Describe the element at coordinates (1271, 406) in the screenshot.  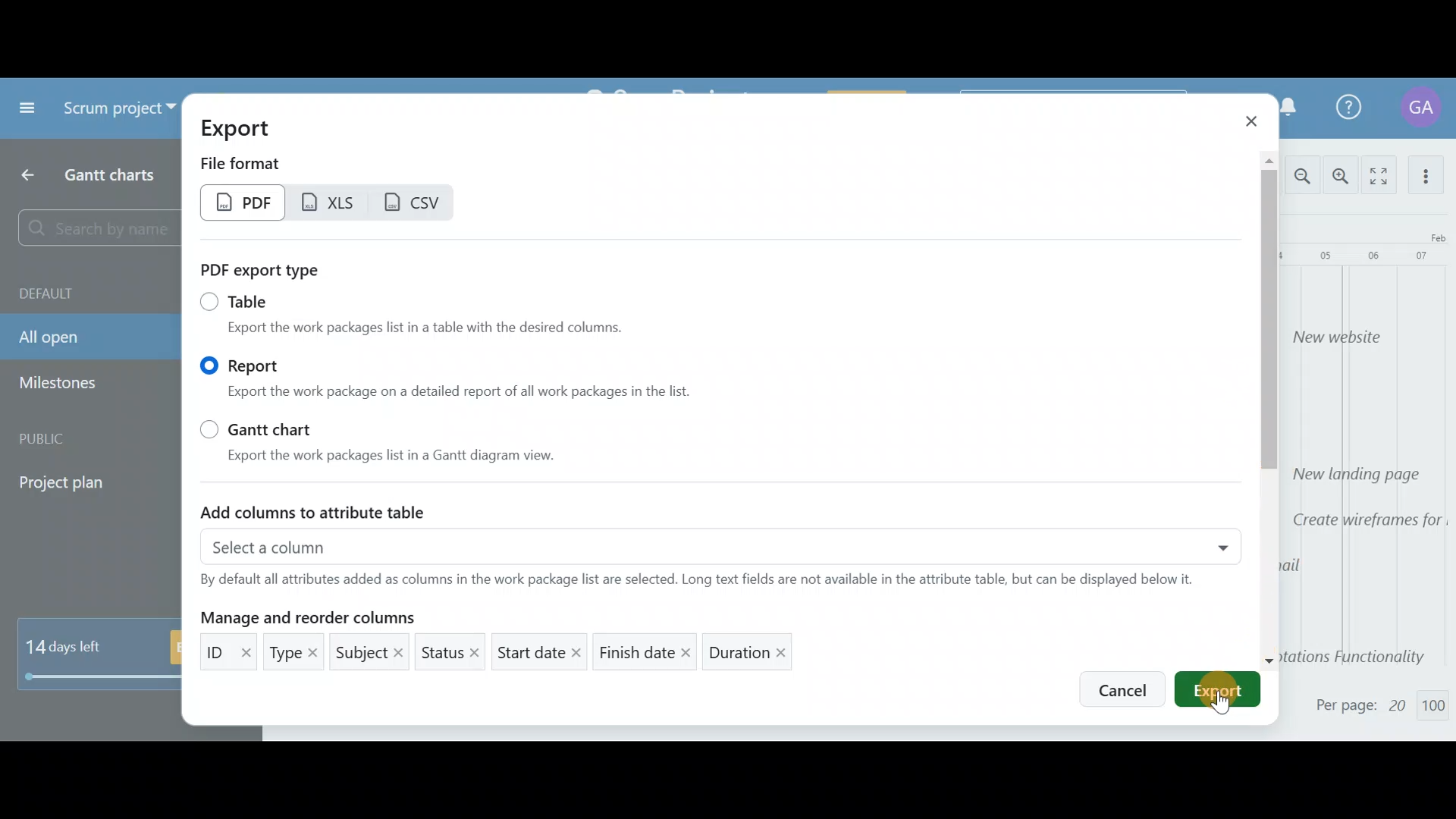
I see `Scroll bar` at that location.